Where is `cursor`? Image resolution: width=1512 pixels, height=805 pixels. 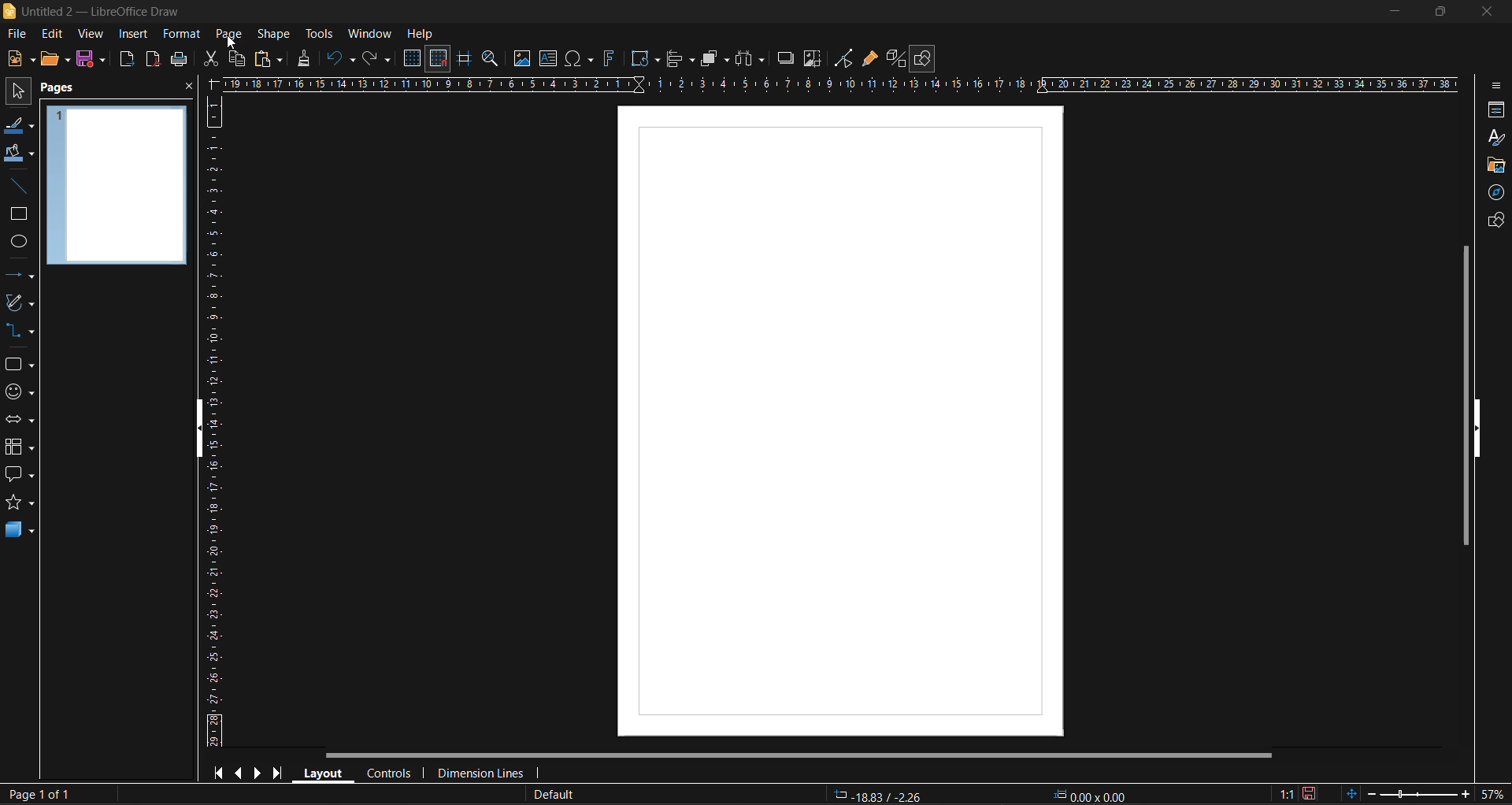
cursor is located at coordinates (235, 45).